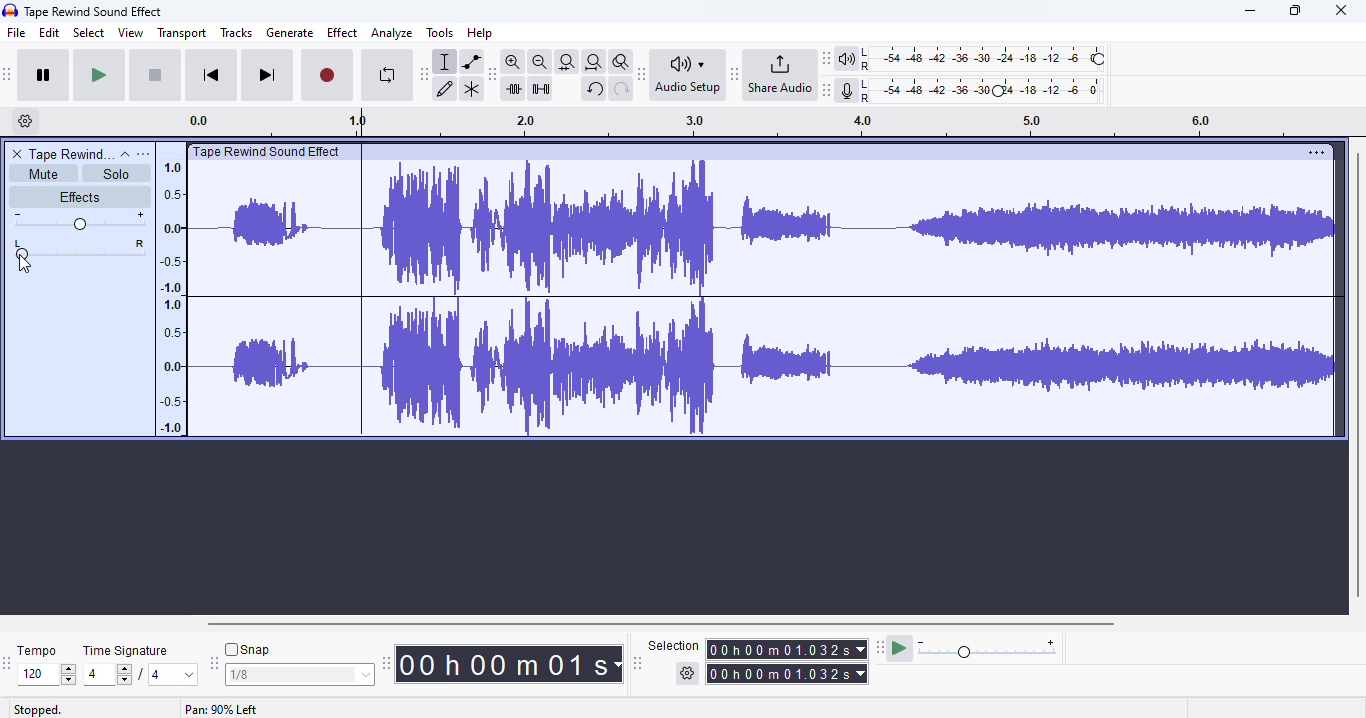  What do you see at coordinates (343, 33) in the screenshot?
I see `effect` at bounding box center [343, 33].